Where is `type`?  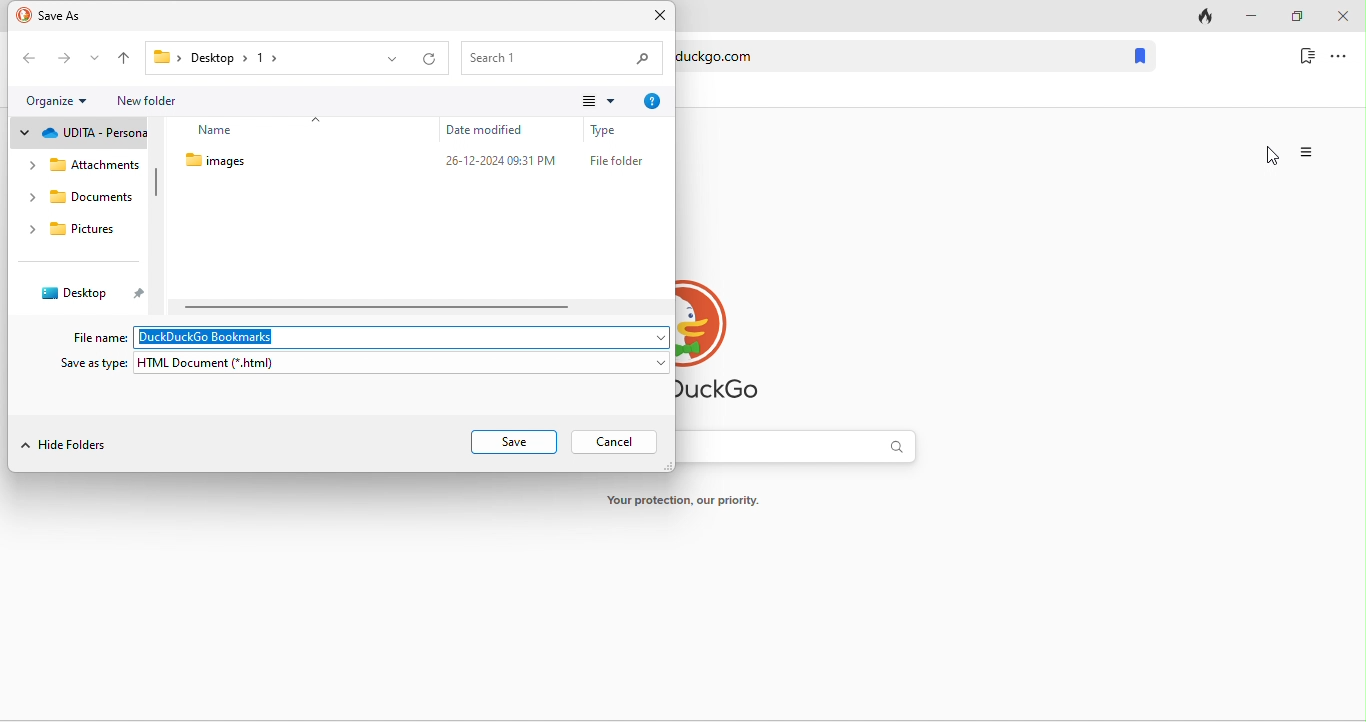 type is located at coordinates (615, 129).